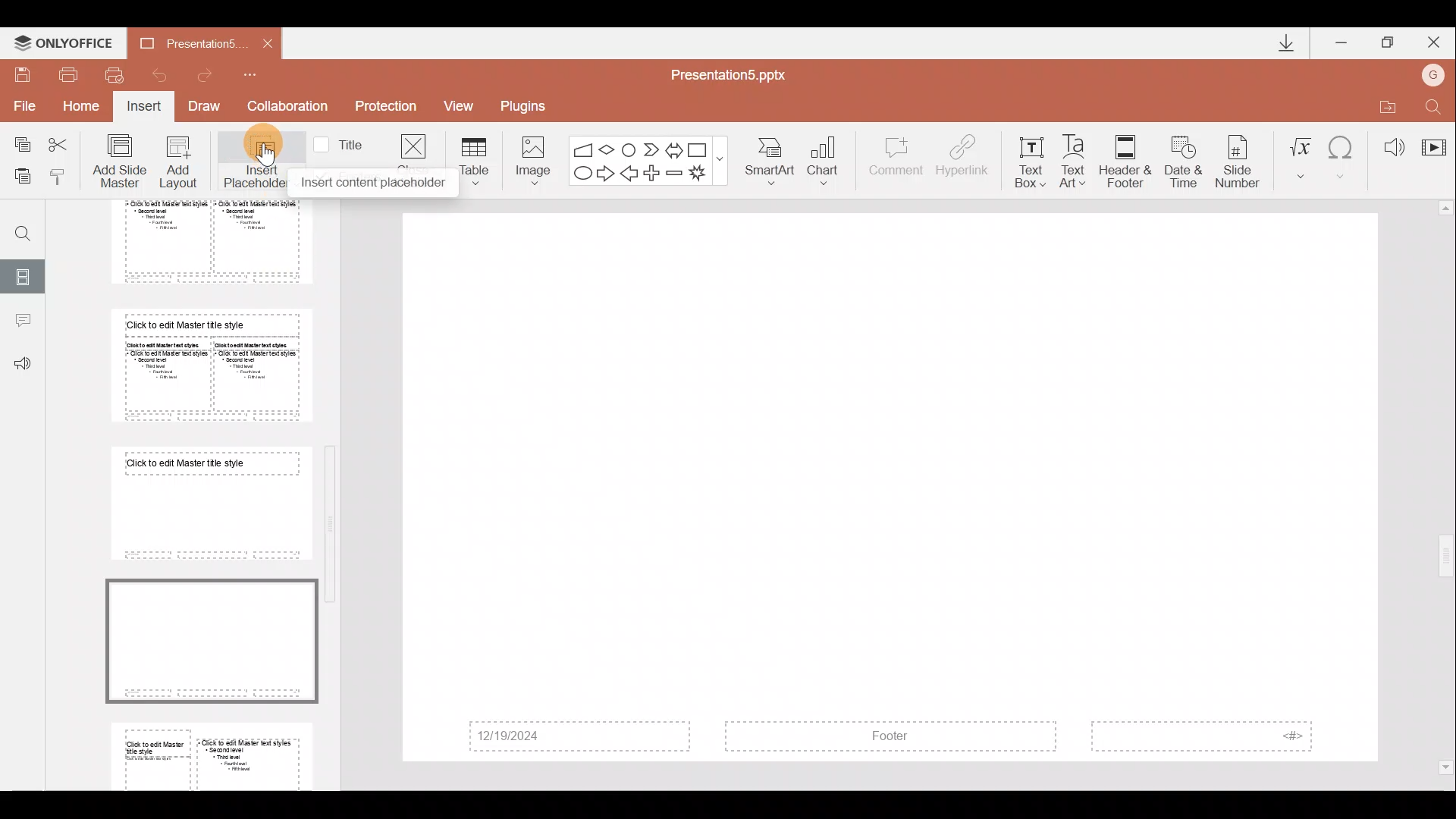  Describe the element at coordinates (343, 143) in the screenshot. I see `Title` at that location.